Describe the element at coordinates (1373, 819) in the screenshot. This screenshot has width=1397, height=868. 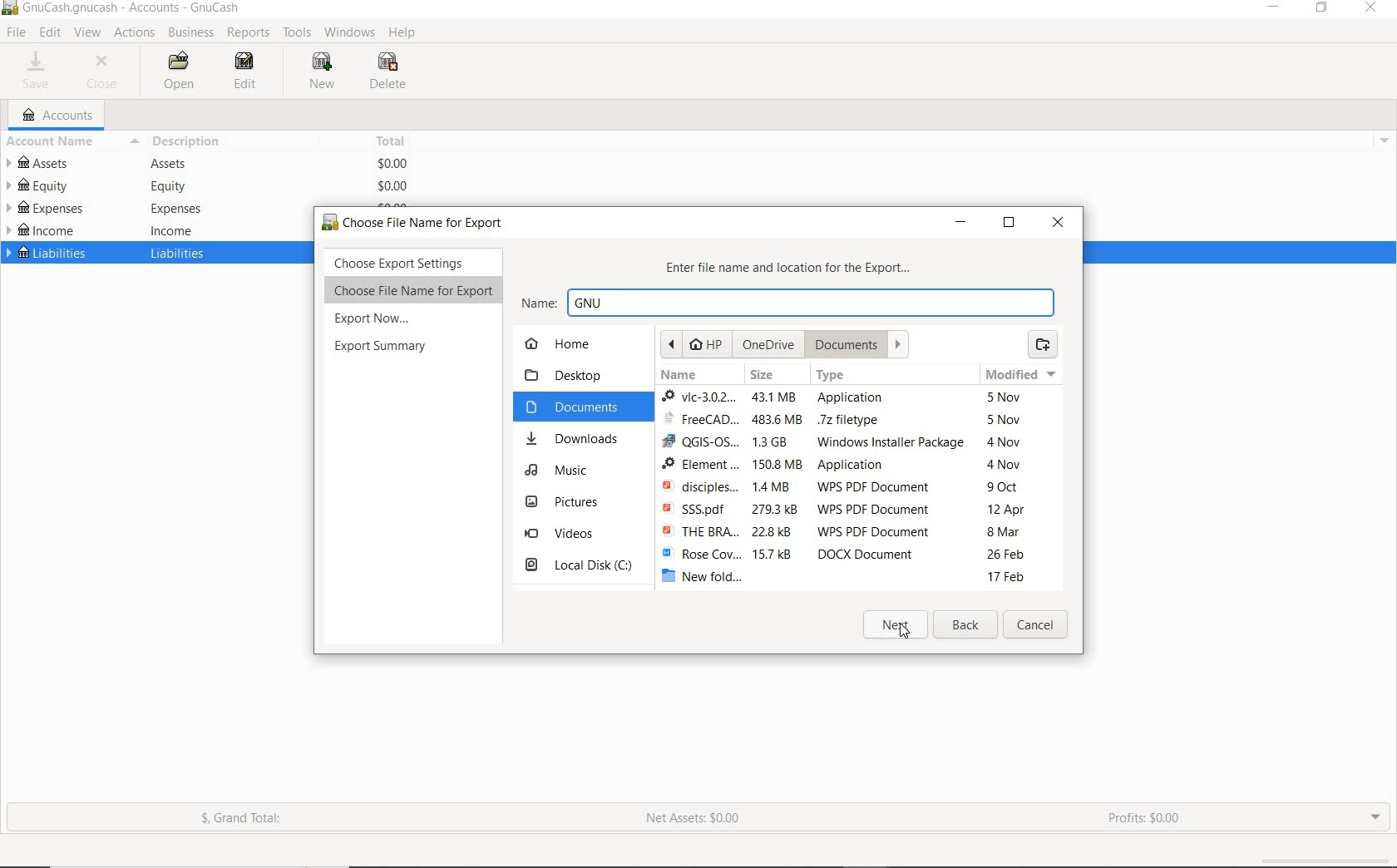
I see `EXPAND` at that location.